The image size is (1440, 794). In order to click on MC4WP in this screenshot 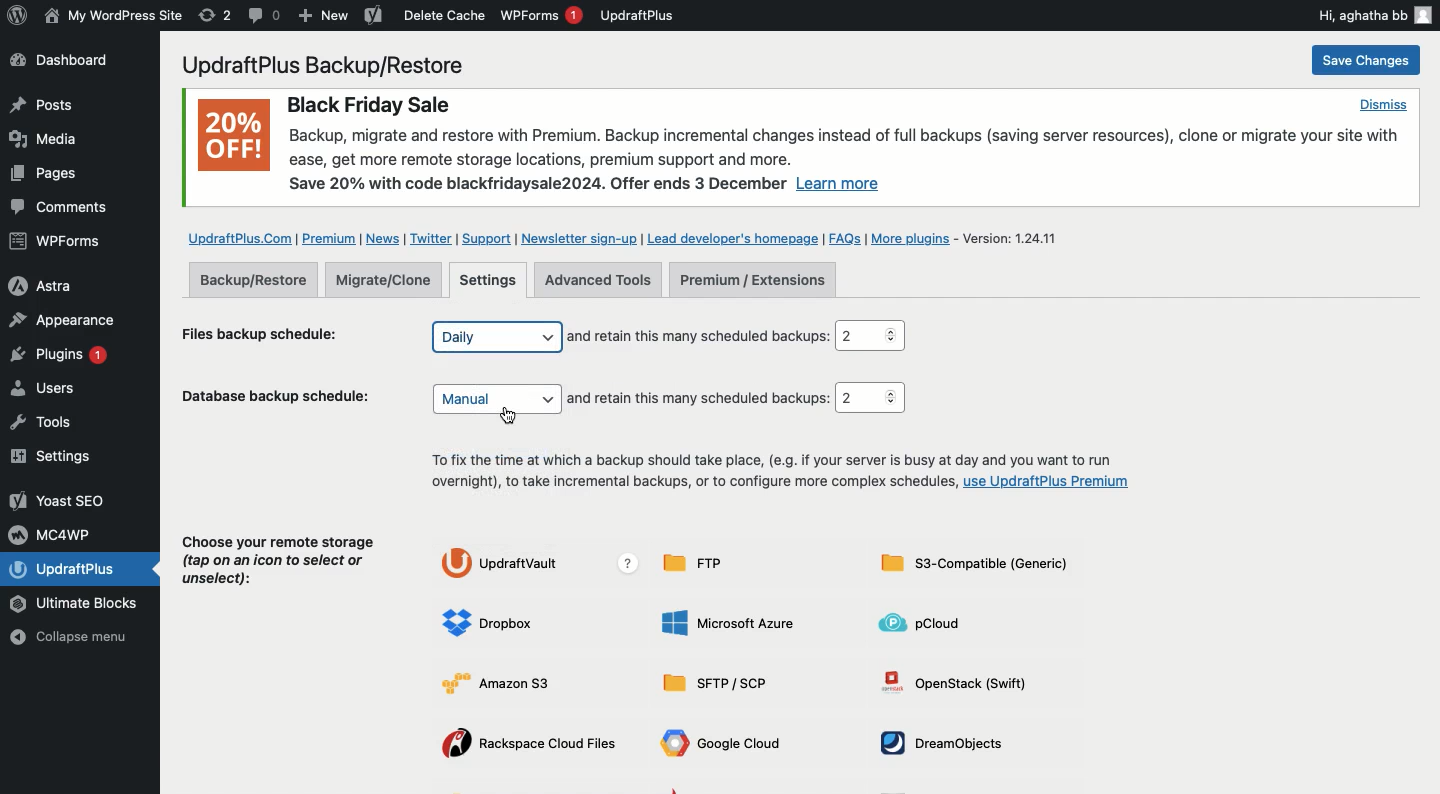, I will do `click(55, 533)`.